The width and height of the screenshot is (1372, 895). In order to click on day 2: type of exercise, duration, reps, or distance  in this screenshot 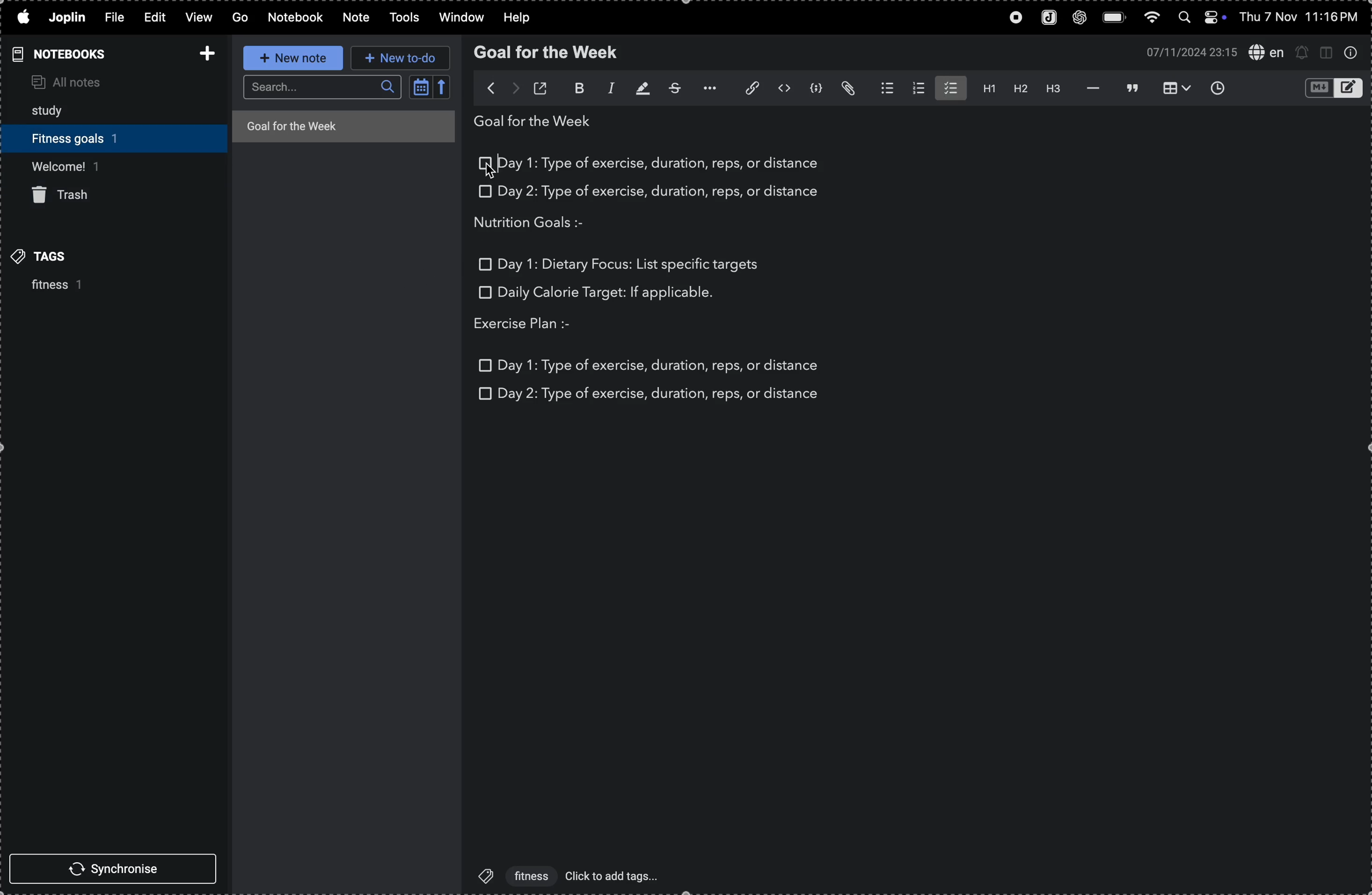, I will do `click(665, 192)`.